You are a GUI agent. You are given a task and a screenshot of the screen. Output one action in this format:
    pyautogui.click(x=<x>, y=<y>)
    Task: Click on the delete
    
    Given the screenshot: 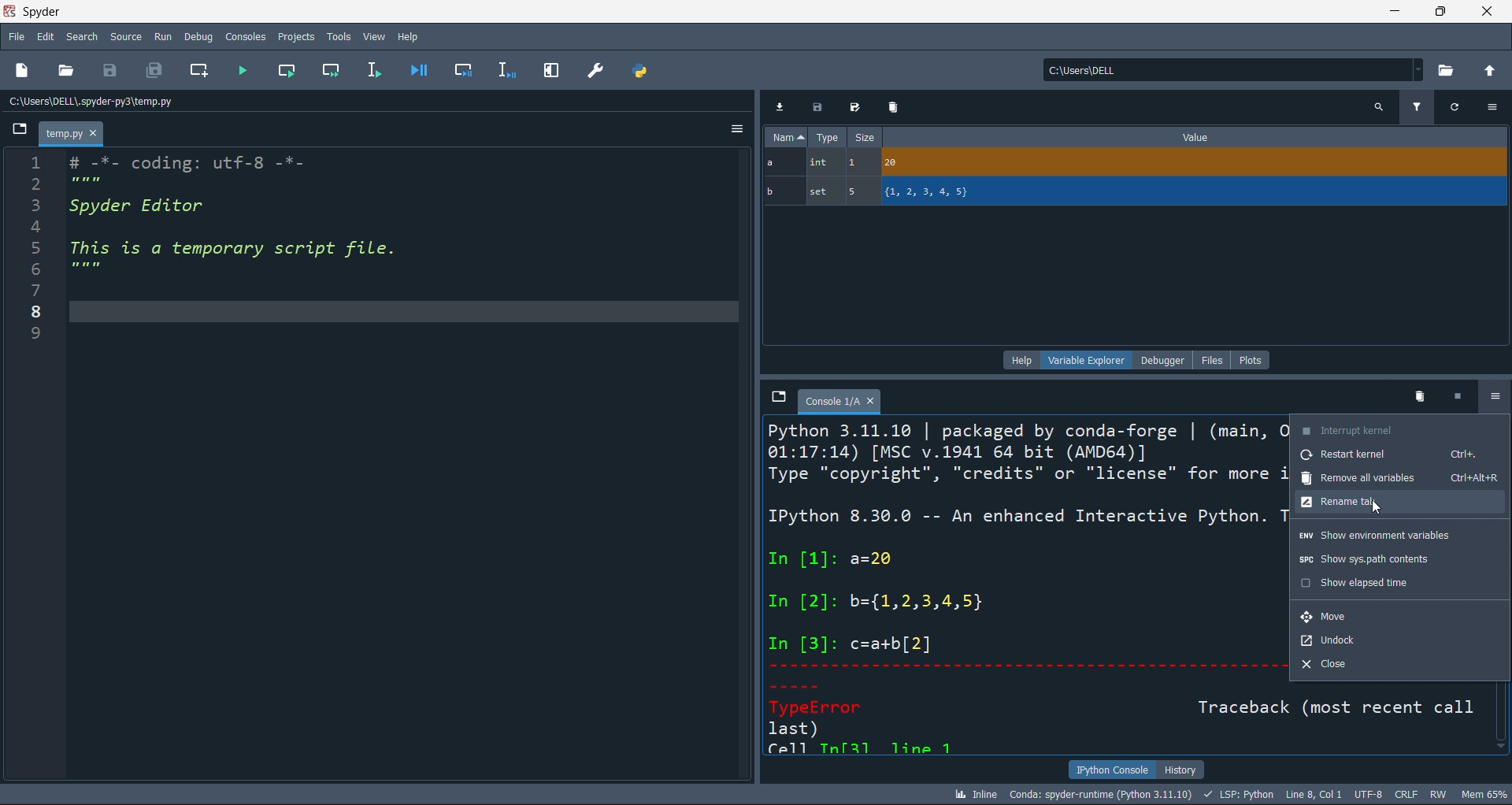 What is the action you would take?
    pyautogui.click(x=892, y=106)
    